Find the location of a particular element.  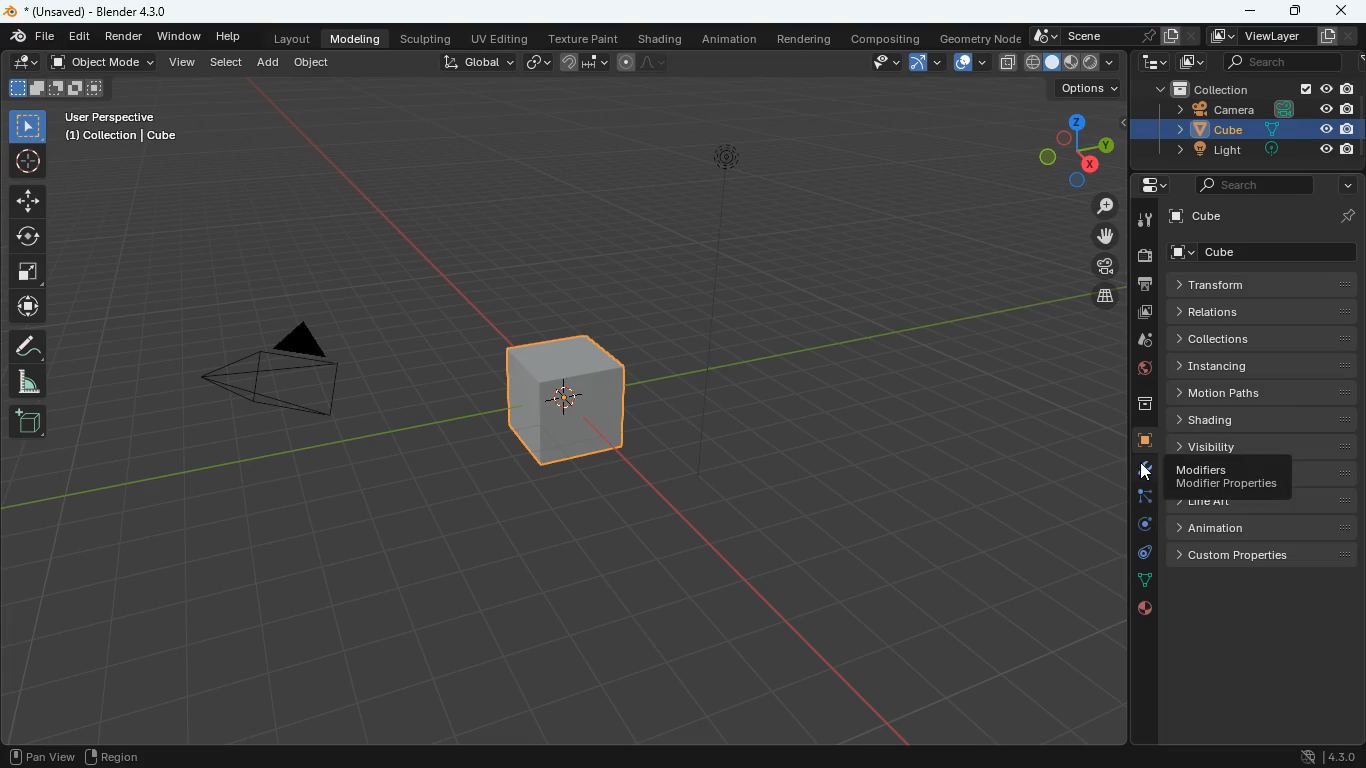

modeling is located at coordinates (354, 39).